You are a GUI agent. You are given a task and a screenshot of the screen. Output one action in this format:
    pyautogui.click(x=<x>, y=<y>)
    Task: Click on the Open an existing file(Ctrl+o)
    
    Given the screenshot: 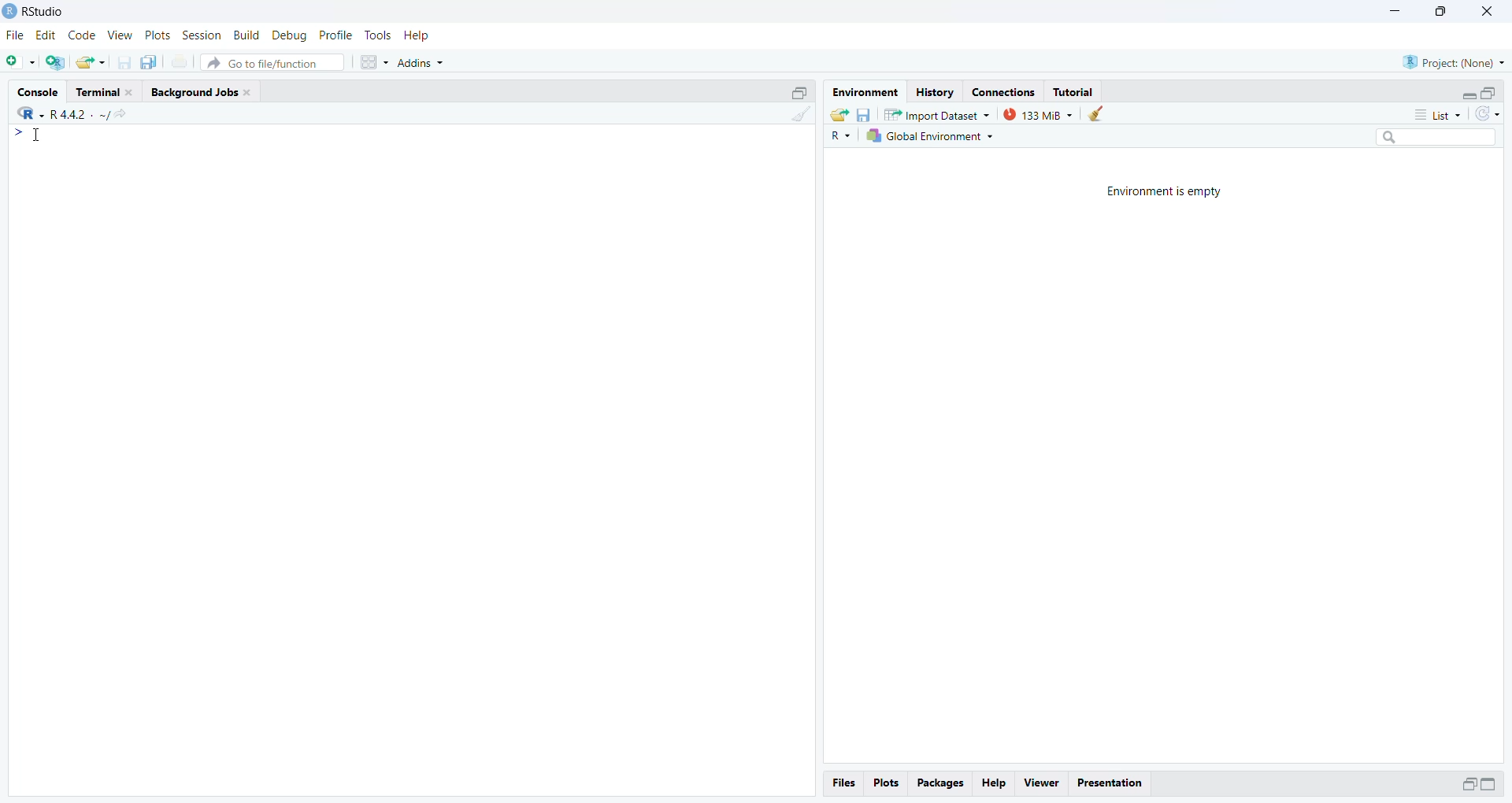 What is the action you would take?
    pyautogui.click(x=93, y=62)
    